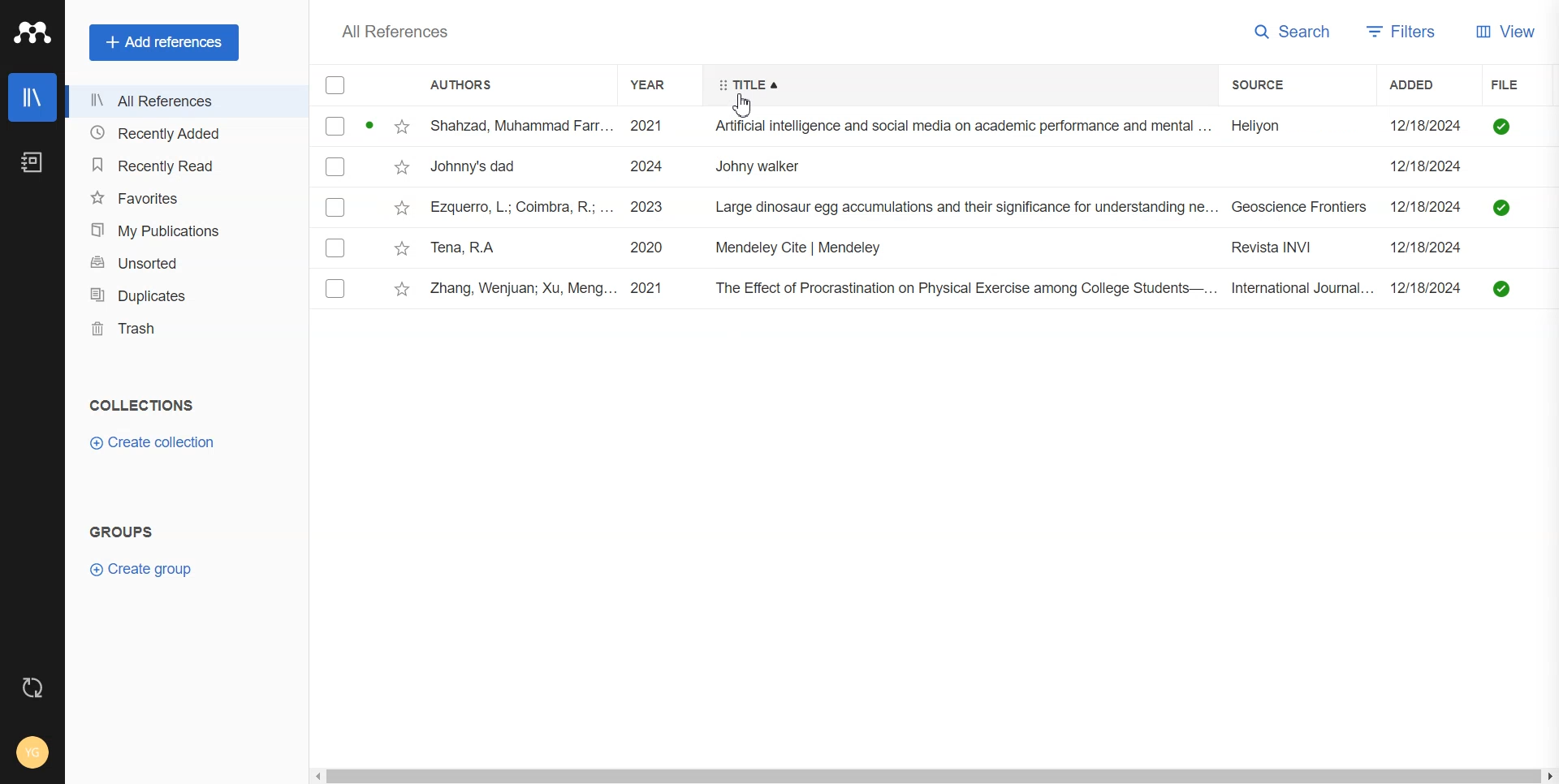  I want to click on Cursor, so click(745, 105).